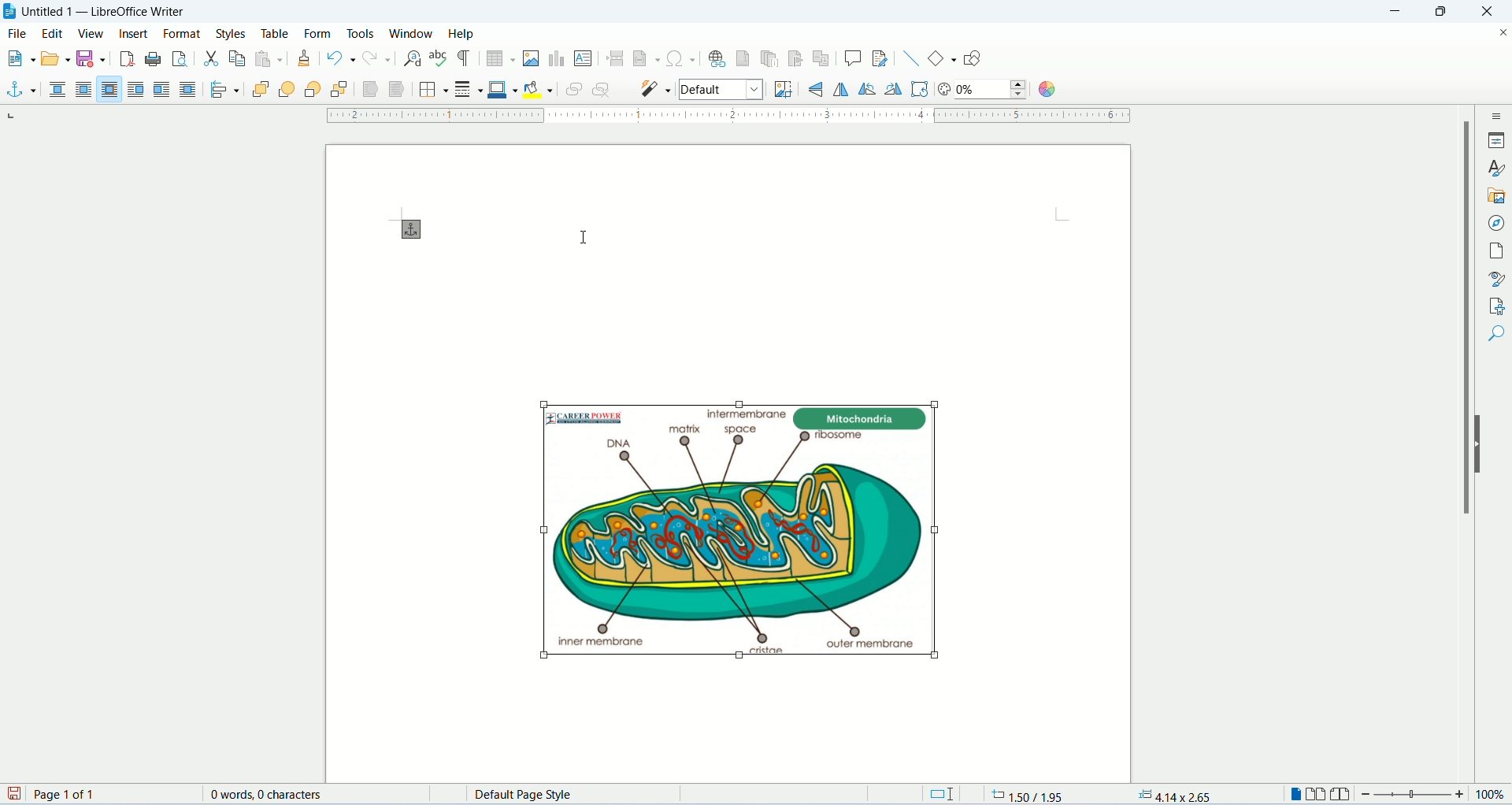  Describe the element at coordinates (468, 88) in the screenshot. I see `border style` at that location.